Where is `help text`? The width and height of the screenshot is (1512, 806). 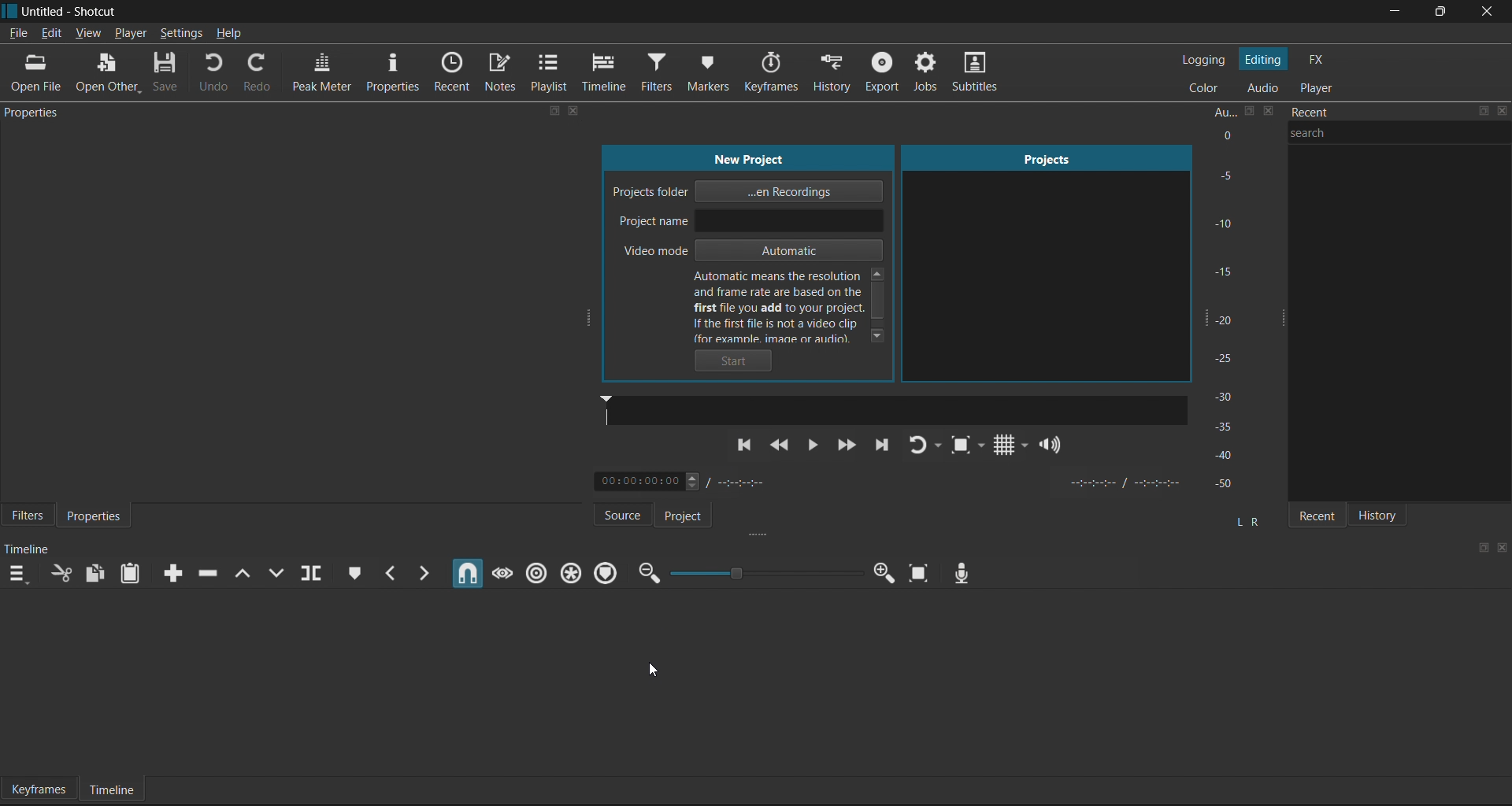
help text is located at coordinates (794, 305).